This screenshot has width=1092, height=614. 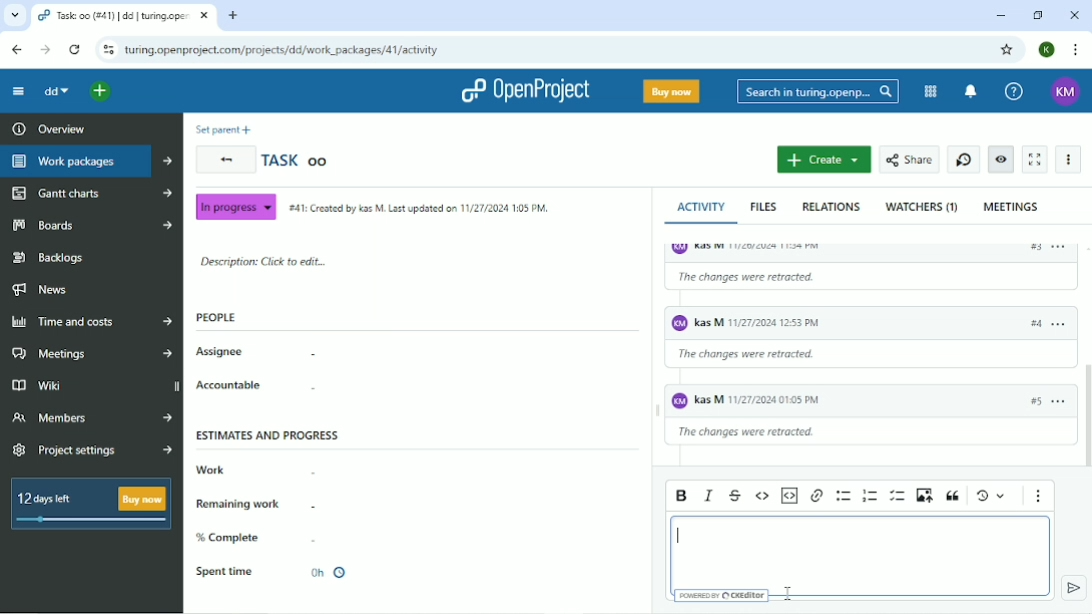 I want to click on KM Kas M 11/26/2024 01:05 PM, so click(x=751, y=402).